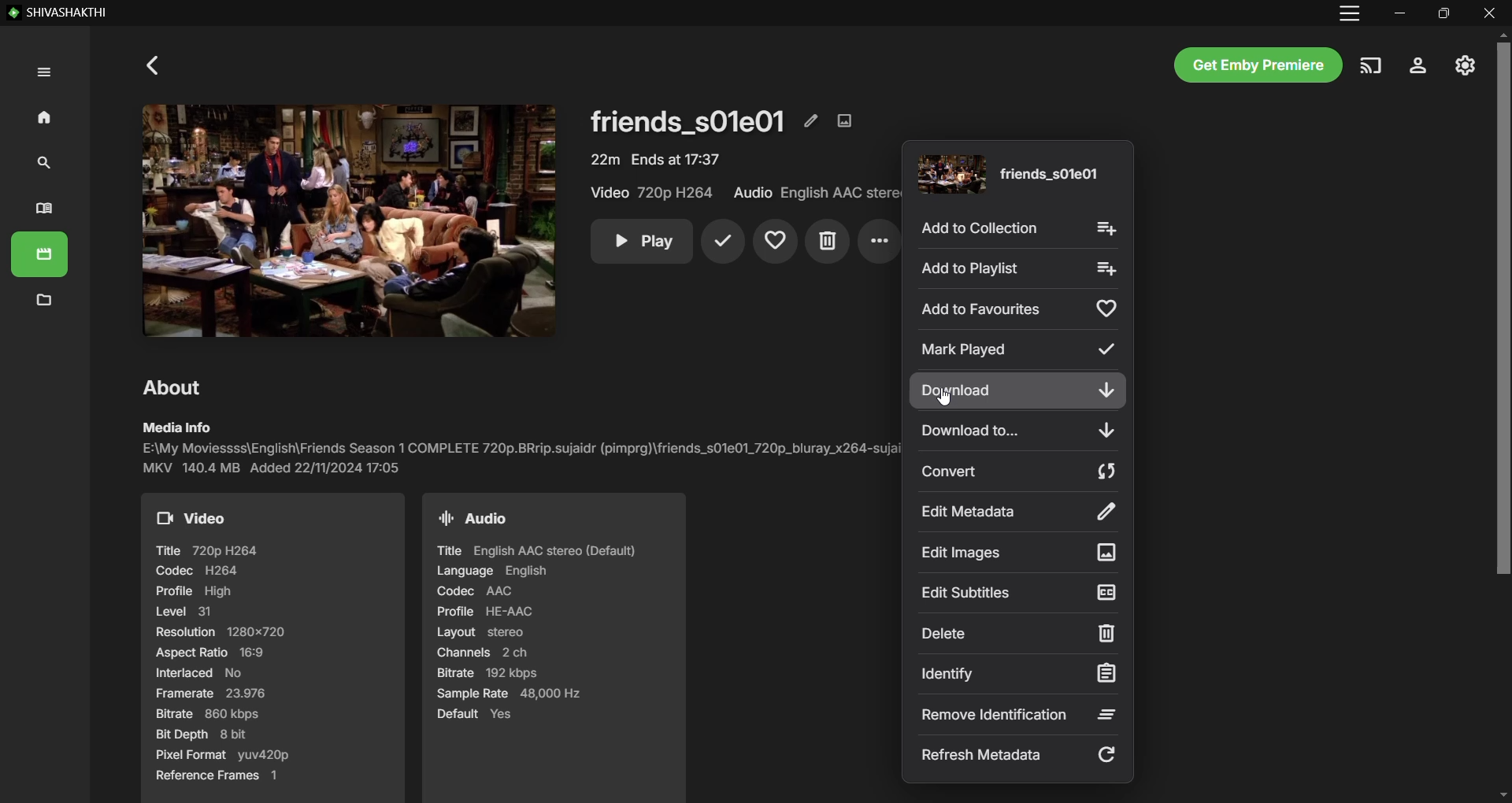 The image size is (1512, 803). What do you see at coordinates (1371, 66) in the screenshot?
I see `Play on another deivce` at bounding box center [1371, 66].